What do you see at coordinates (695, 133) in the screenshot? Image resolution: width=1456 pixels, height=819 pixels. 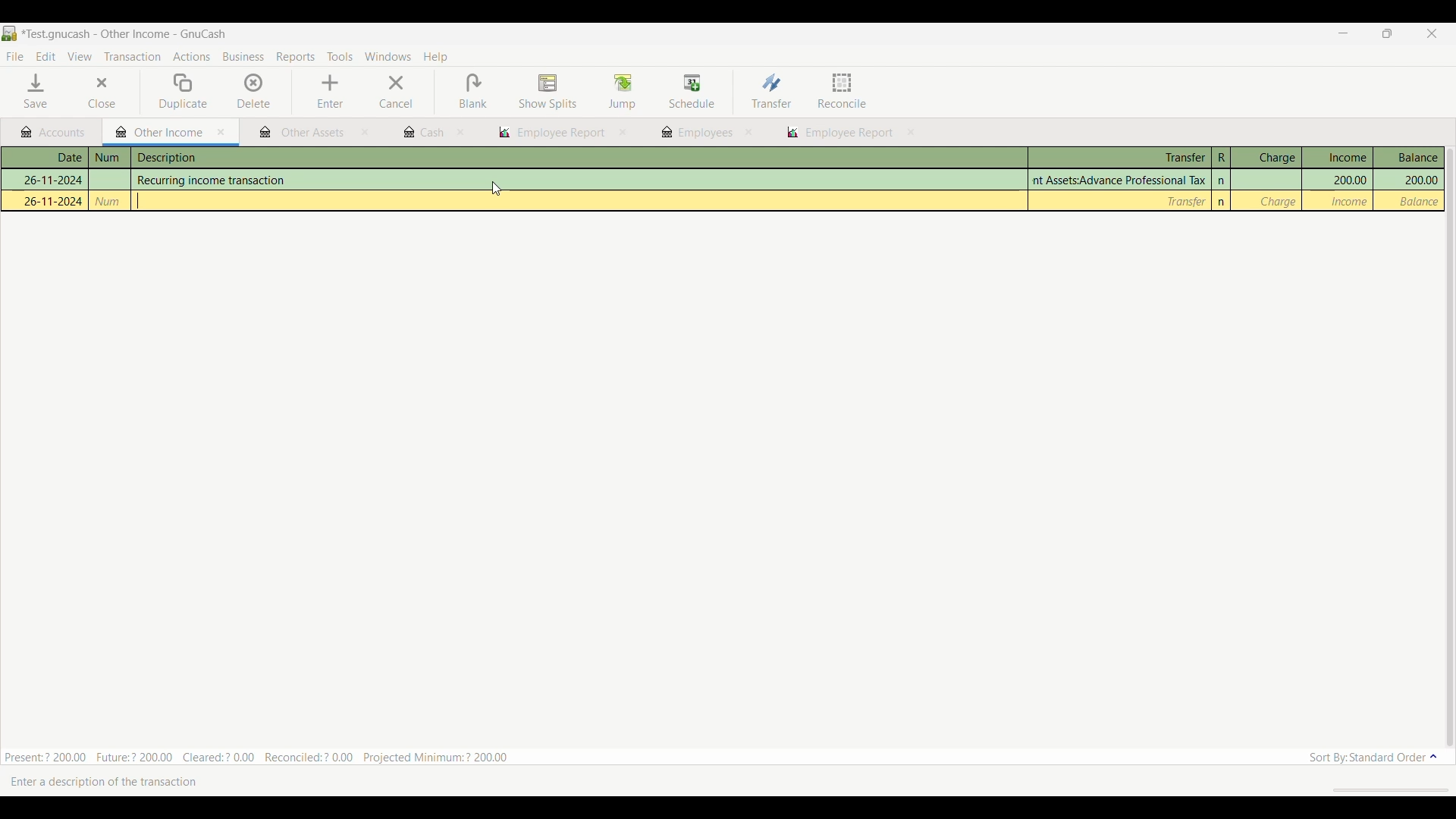 I see `employees` at bounding box center [695, 133].